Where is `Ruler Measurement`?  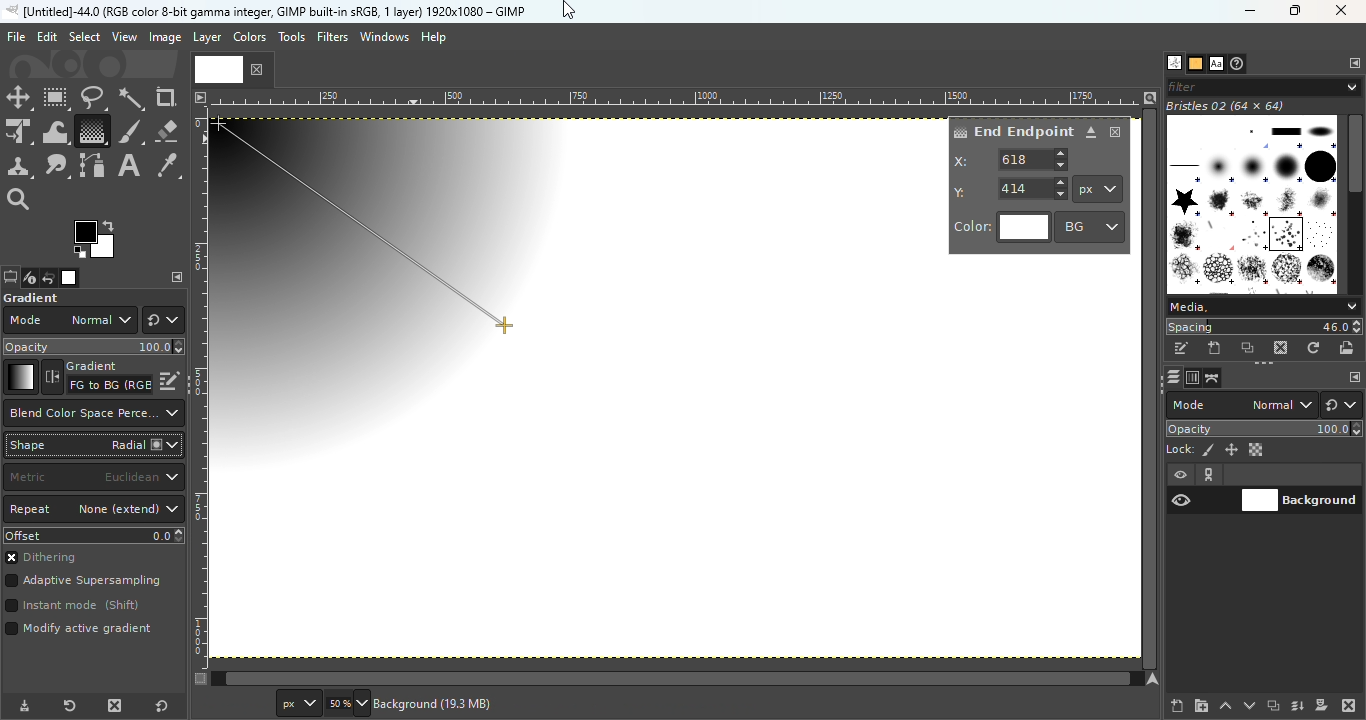
Ruler Measurement is located at coordinates (677, 97).